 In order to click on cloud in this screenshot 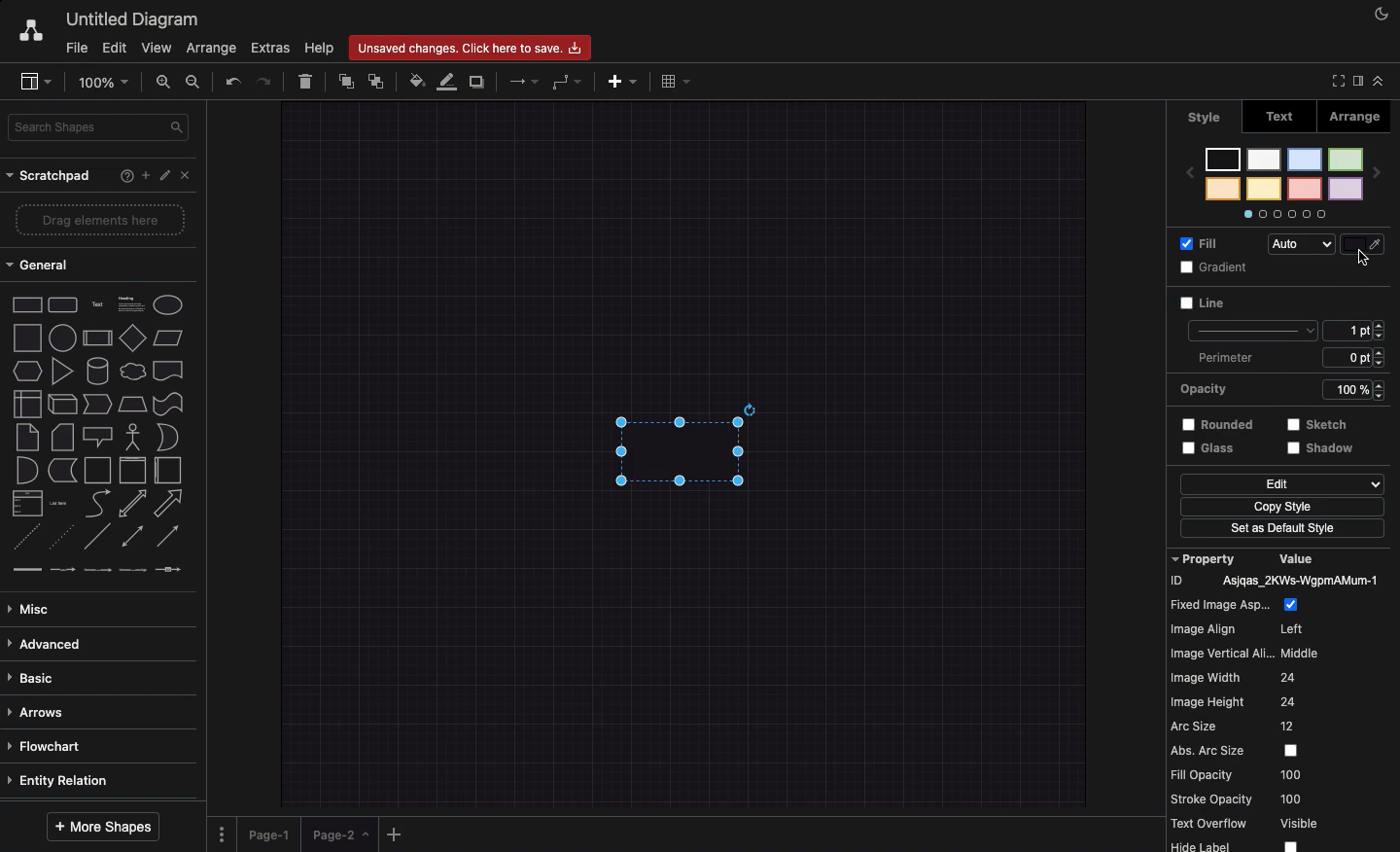, I will do `click(131, 370)`.